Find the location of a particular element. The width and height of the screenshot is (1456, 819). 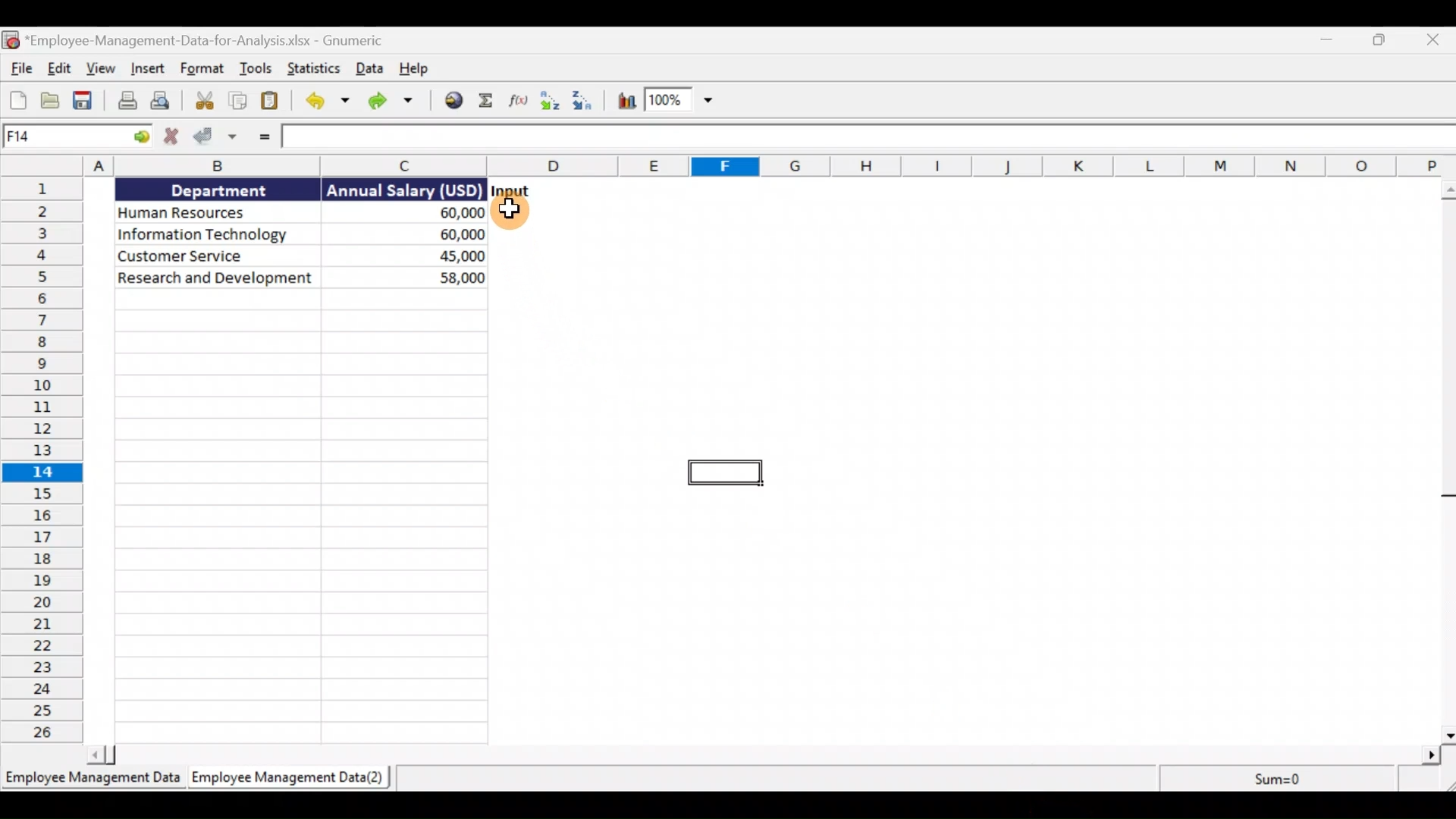

input is located at coordinates (513, 190).